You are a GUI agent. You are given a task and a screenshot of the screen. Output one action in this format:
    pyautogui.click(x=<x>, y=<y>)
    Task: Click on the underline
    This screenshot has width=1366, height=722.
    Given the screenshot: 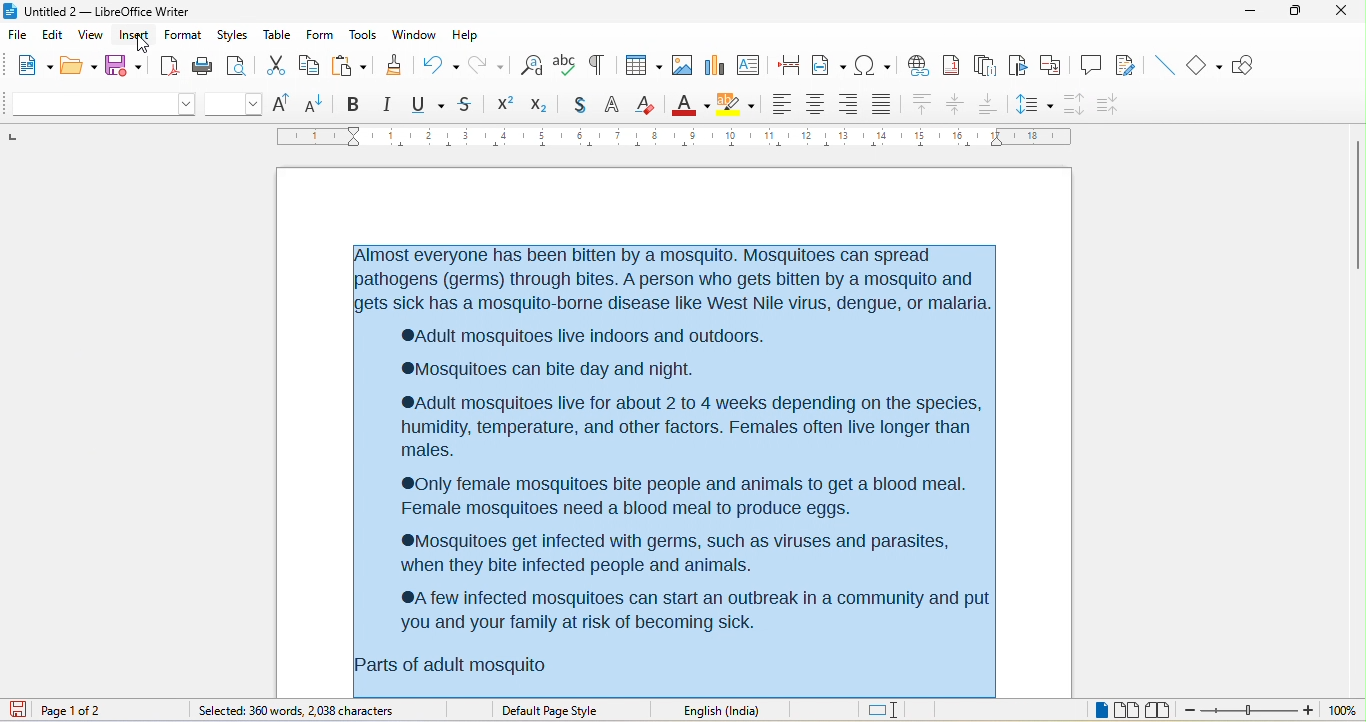 What is the action you would take?
    pyautogui.click(x=429, y=103)
    